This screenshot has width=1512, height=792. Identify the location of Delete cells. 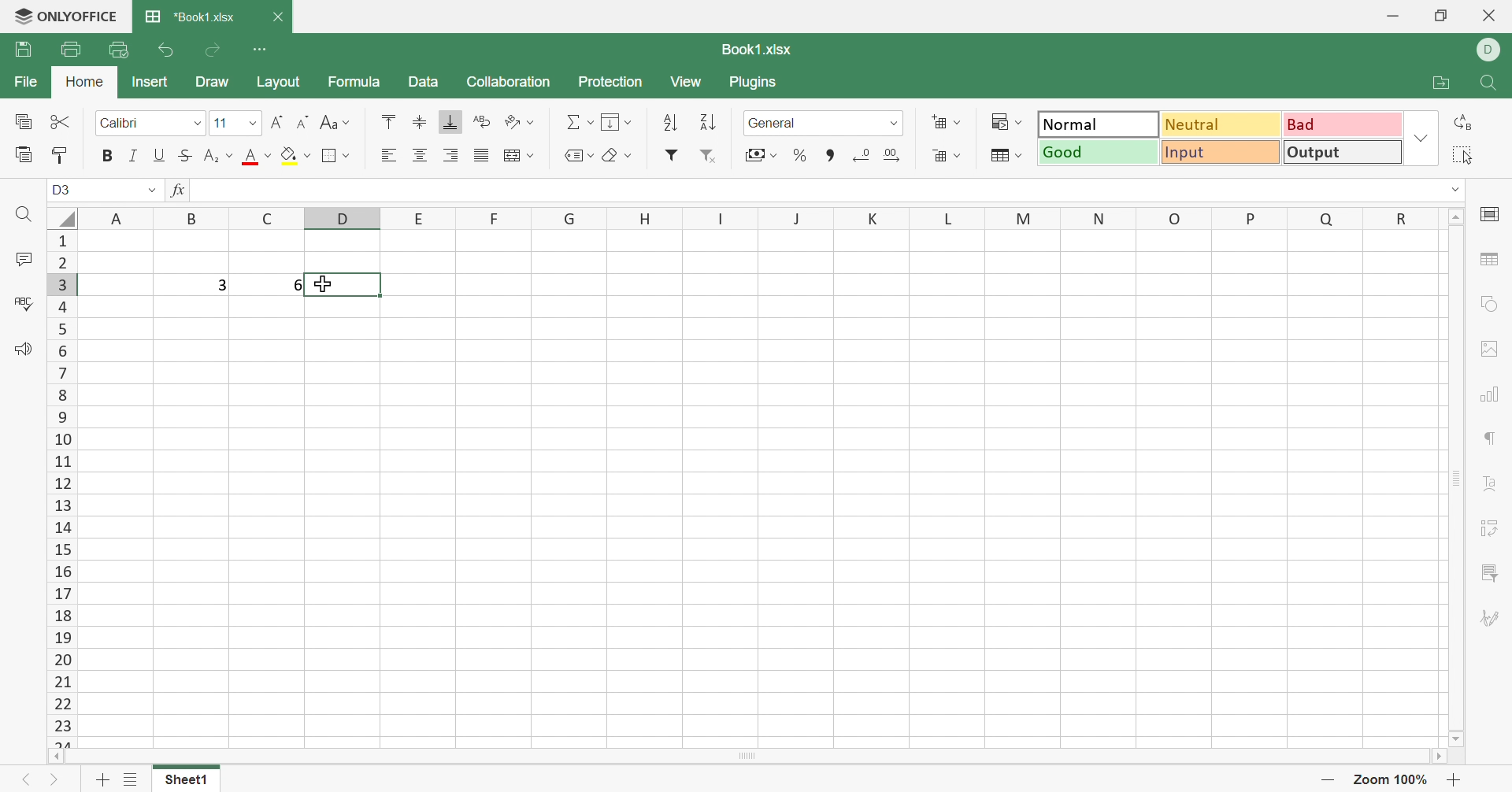
(948, 156).